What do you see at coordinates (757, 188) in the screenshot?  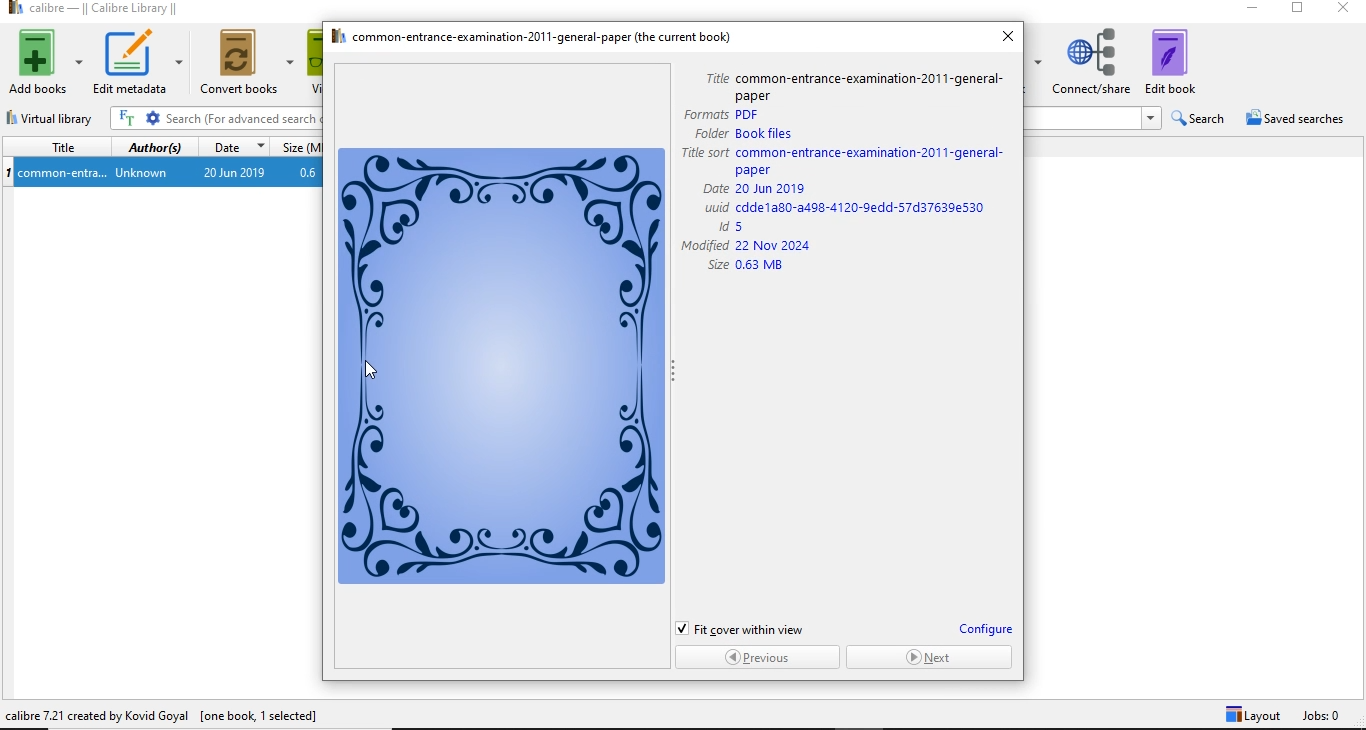 I see `Date 20 jun 2019` at bounding box center [757, 188].